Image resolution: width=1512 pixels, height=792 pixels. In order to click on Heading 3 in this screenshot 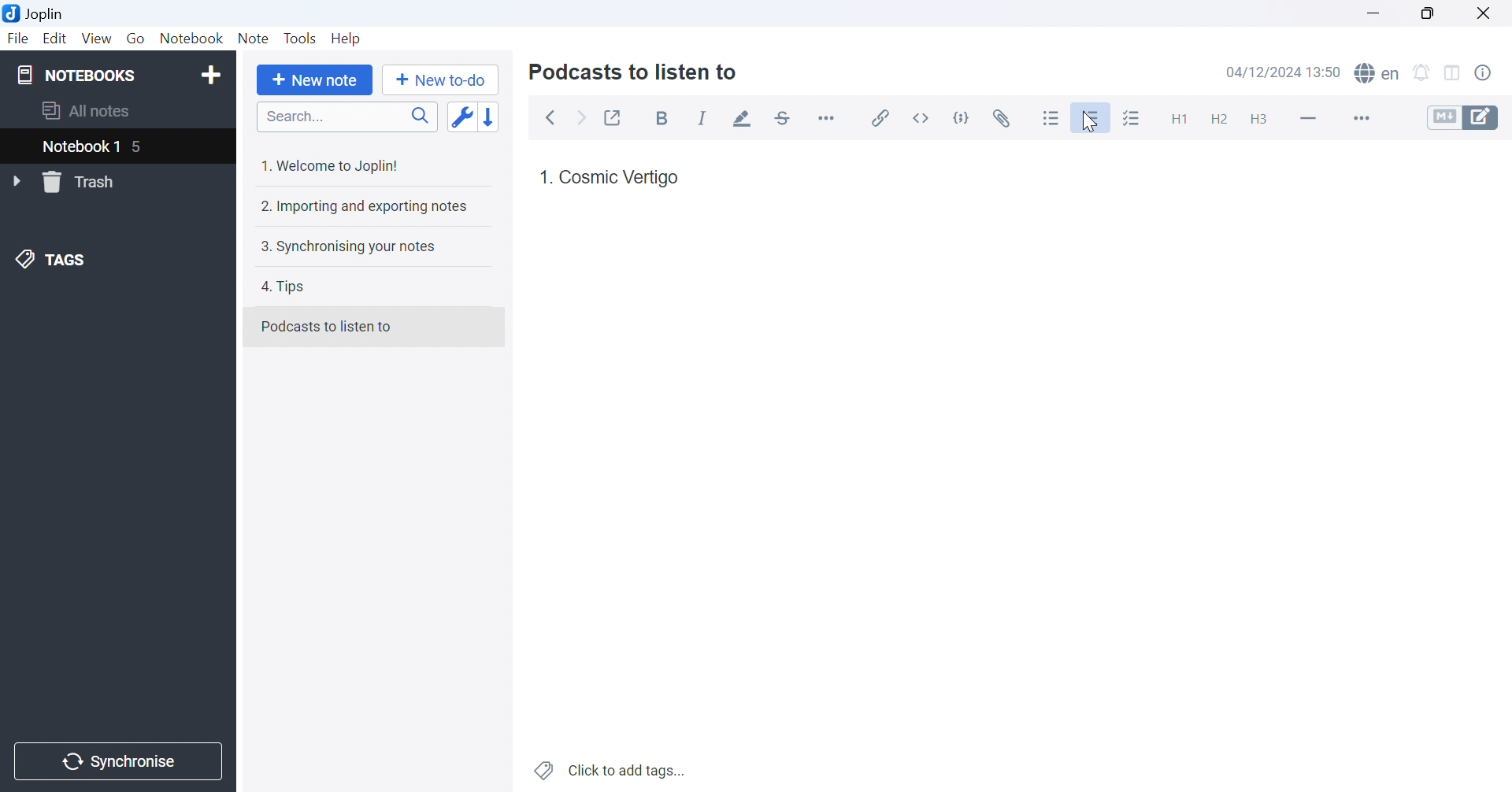, I will do `click(1260, 120)`.